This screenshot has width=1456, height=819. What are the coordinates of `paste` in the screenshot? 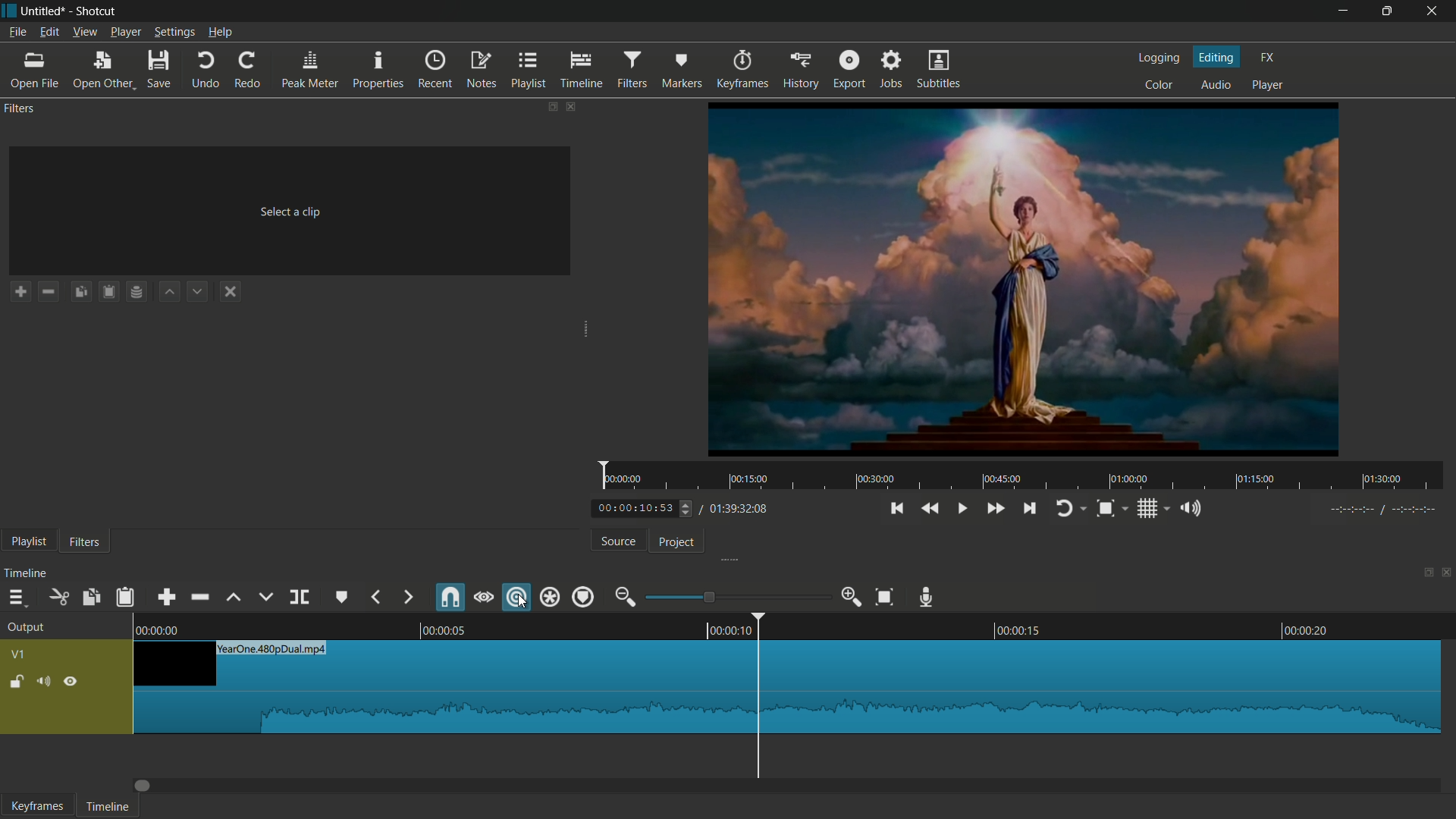 It's located at (125, 598).